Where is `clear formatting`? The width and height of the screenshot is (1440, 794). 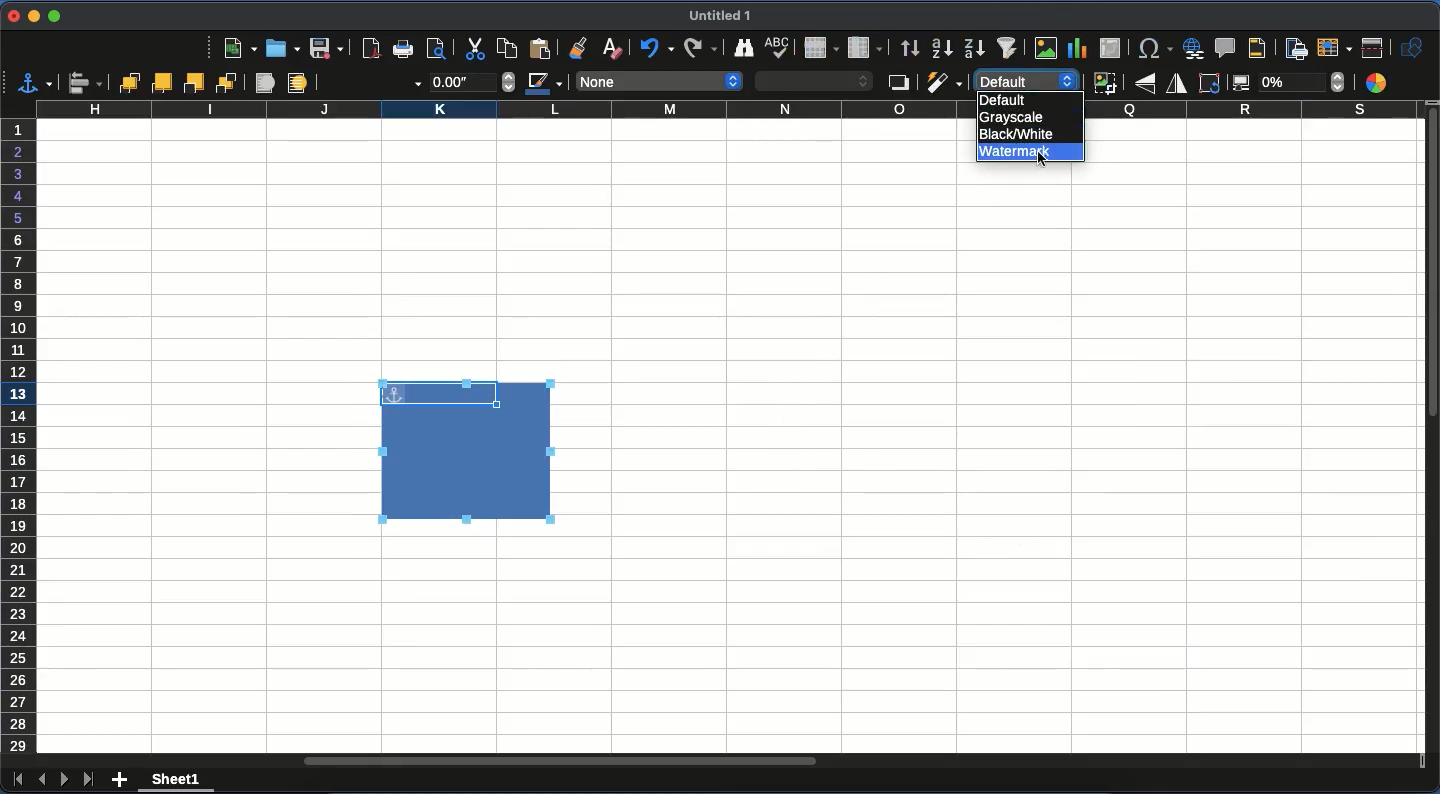
clear formatting is located at coordinates (619, 47).